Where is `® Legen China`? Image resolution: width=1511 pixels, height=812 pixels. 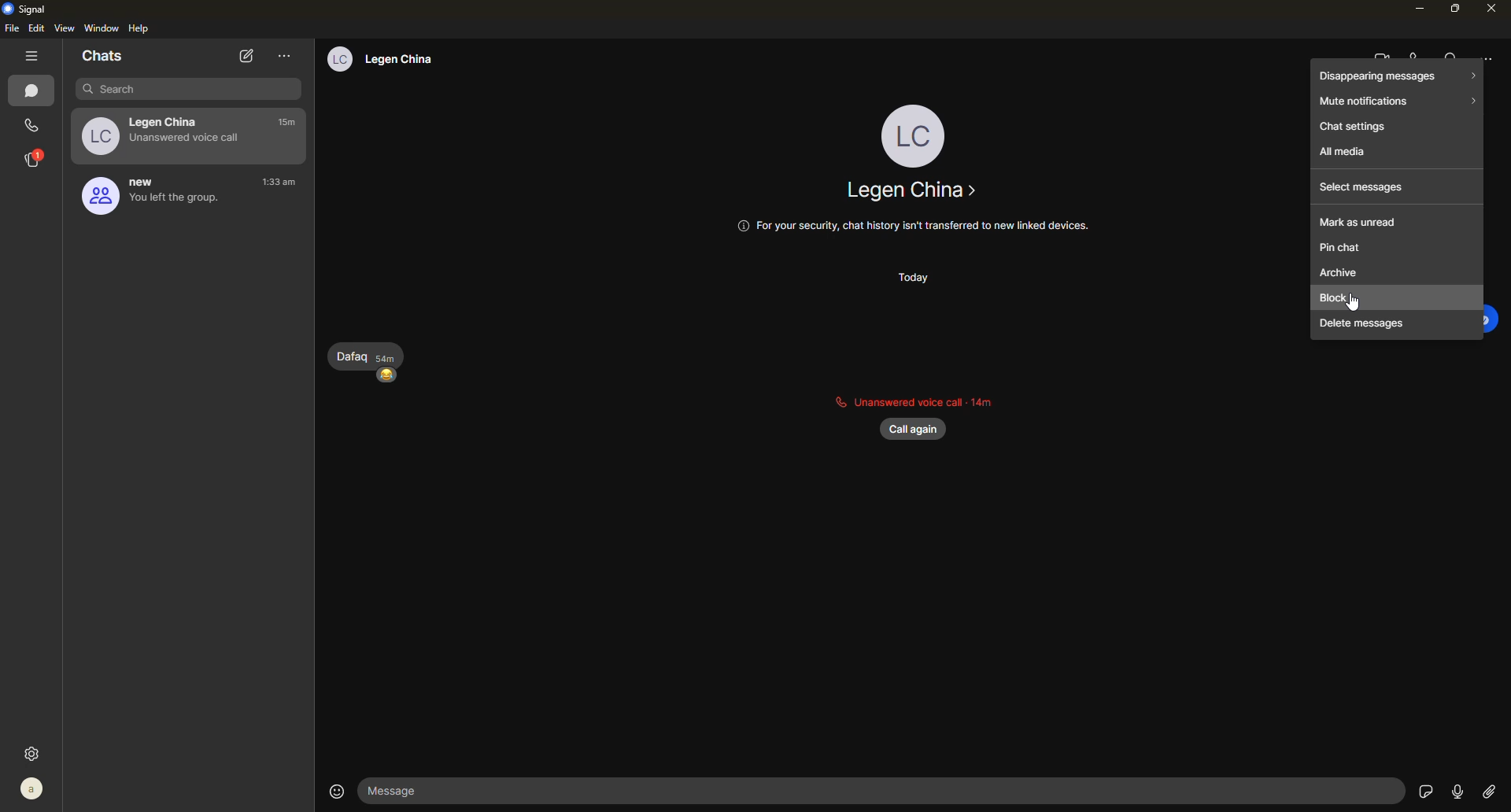
® Legen China is located at coordinates (375, 59).